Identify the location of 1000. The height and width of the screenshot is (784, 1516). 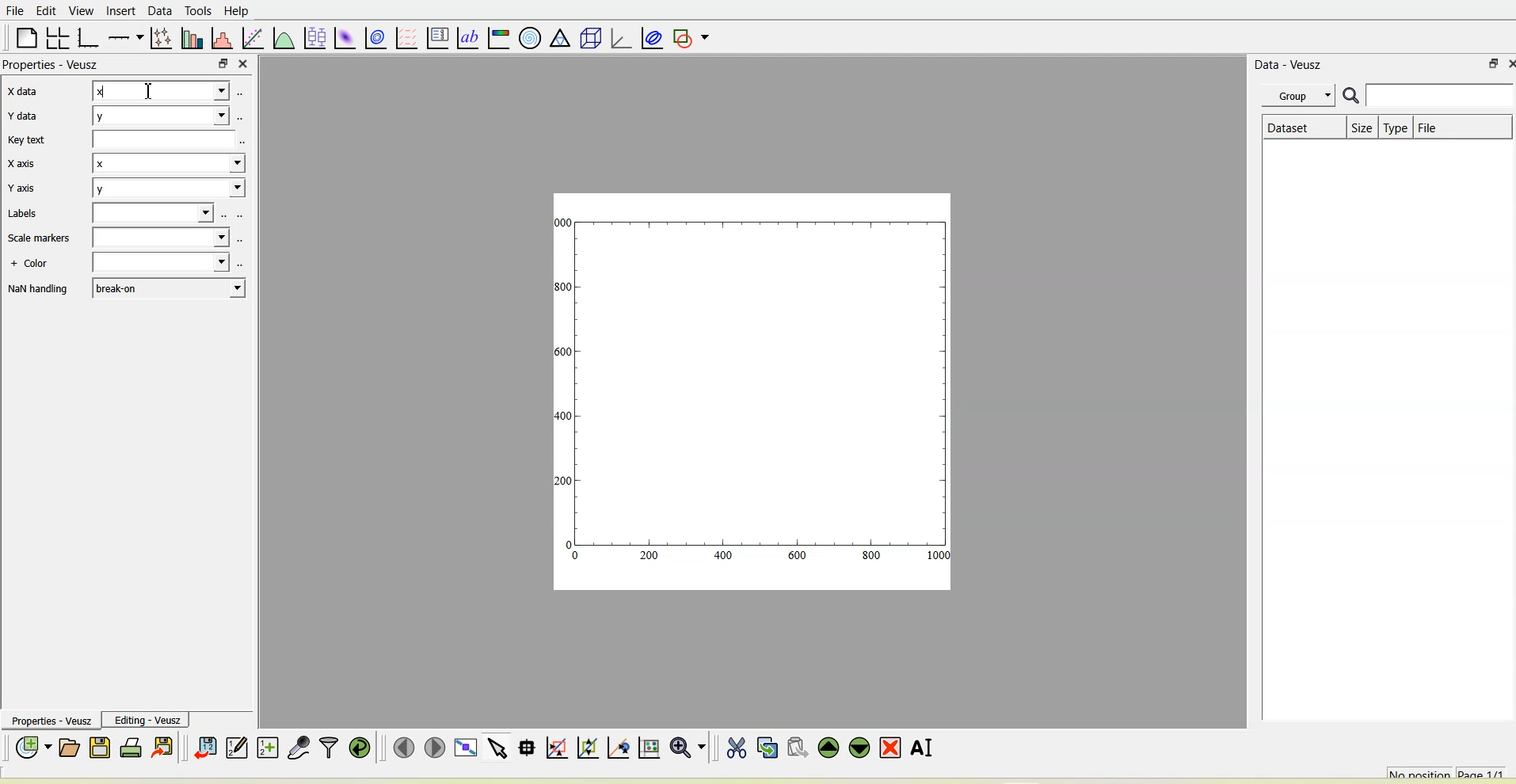
(939, 556).